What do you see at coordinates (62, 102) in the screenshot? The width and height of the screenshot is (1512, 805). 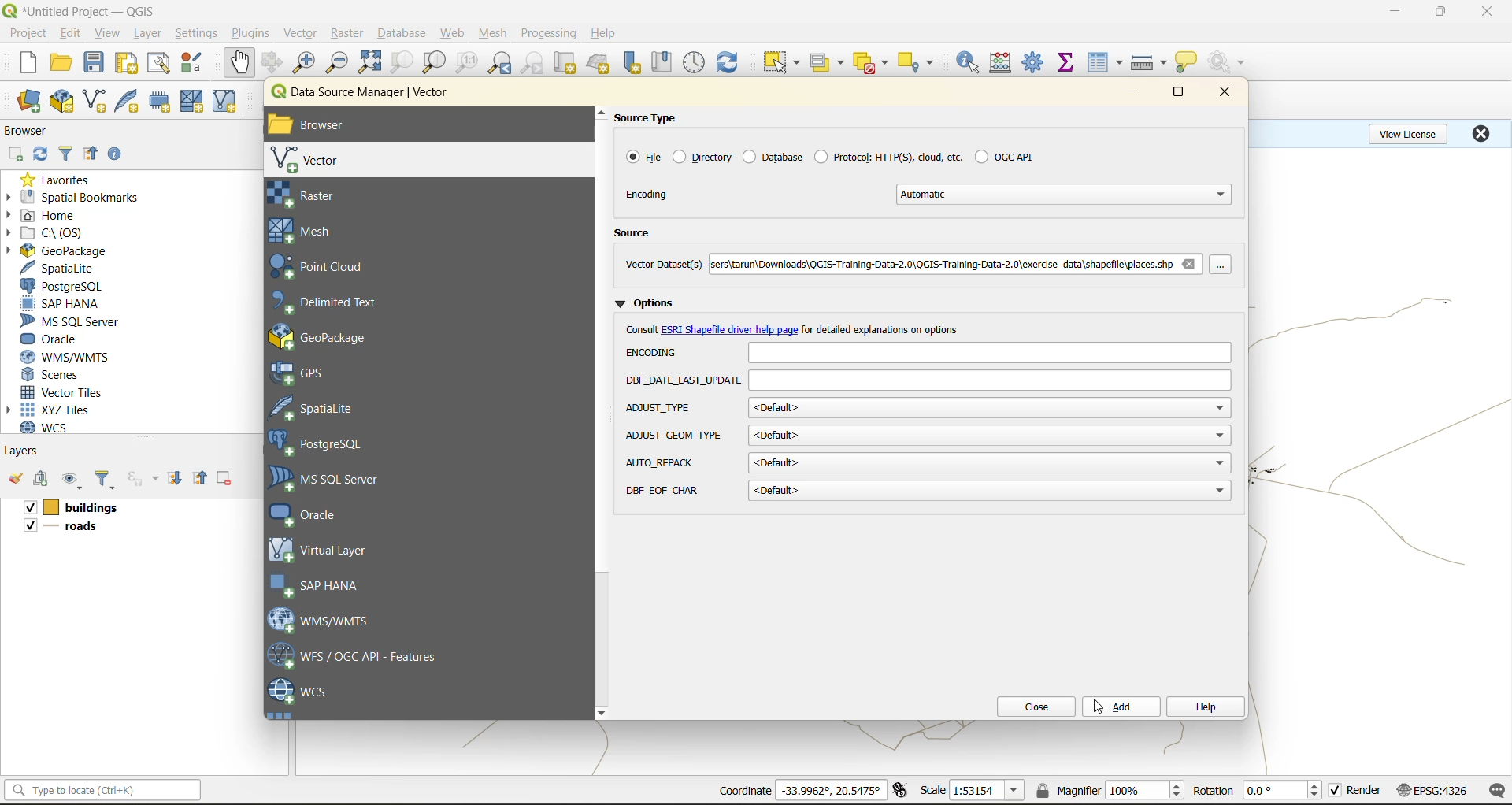 I see `new geopackage layer` at bounding box center [62, 102].